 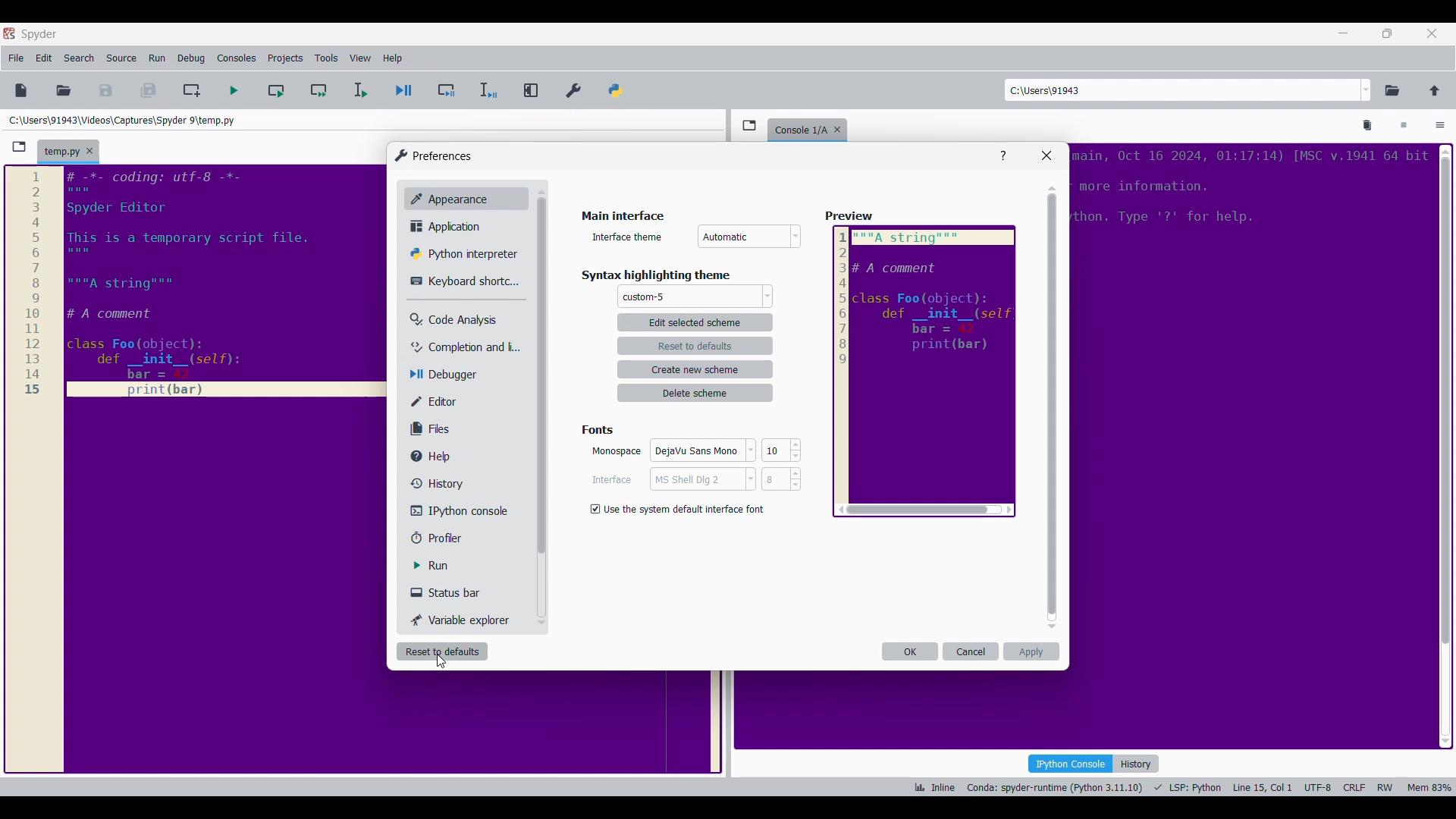 I want to click on Software name, so click(x=39, y=35).